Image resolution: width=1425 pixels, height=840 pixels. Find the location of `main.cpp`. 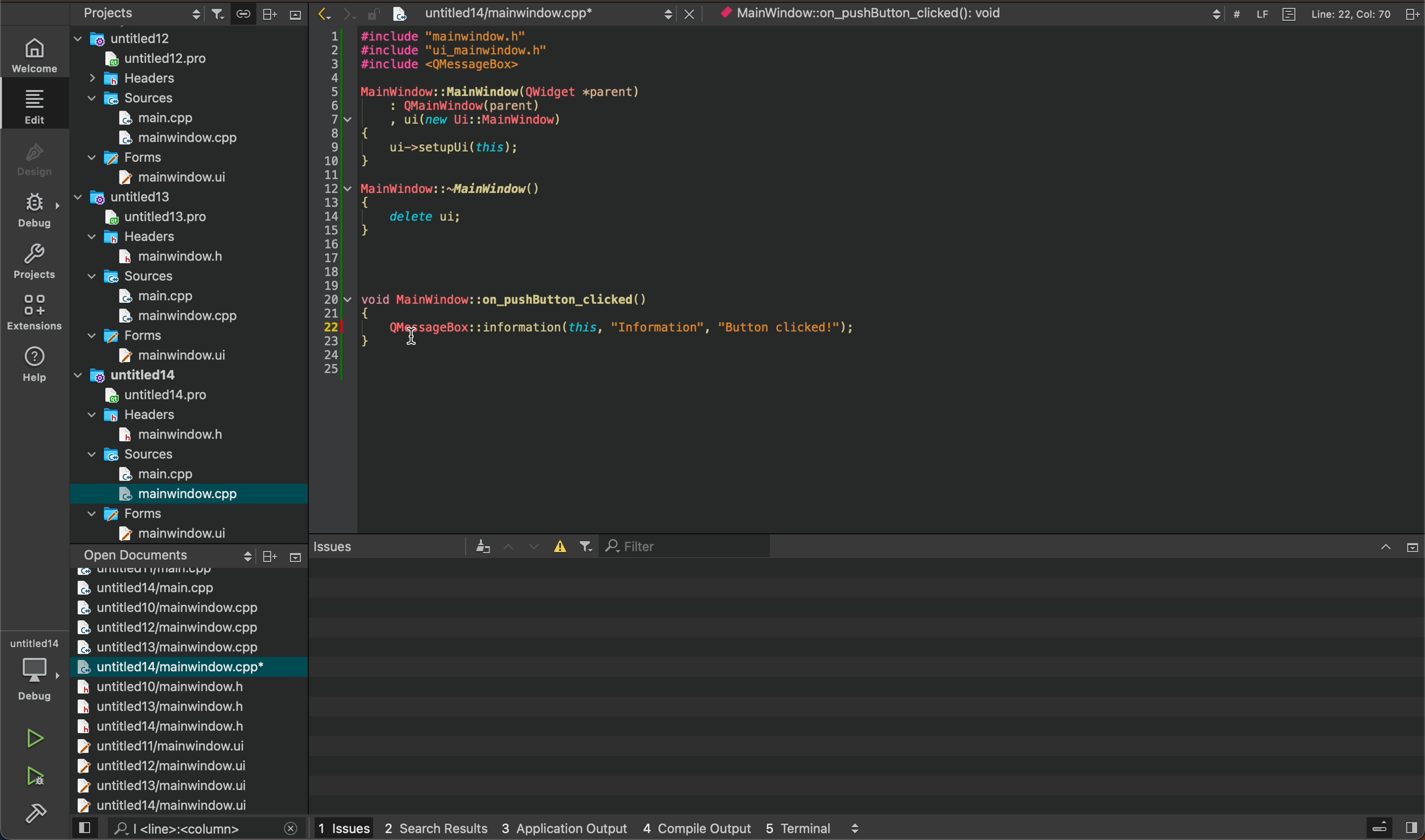

main.cpp is located at coordinates (160, 474).